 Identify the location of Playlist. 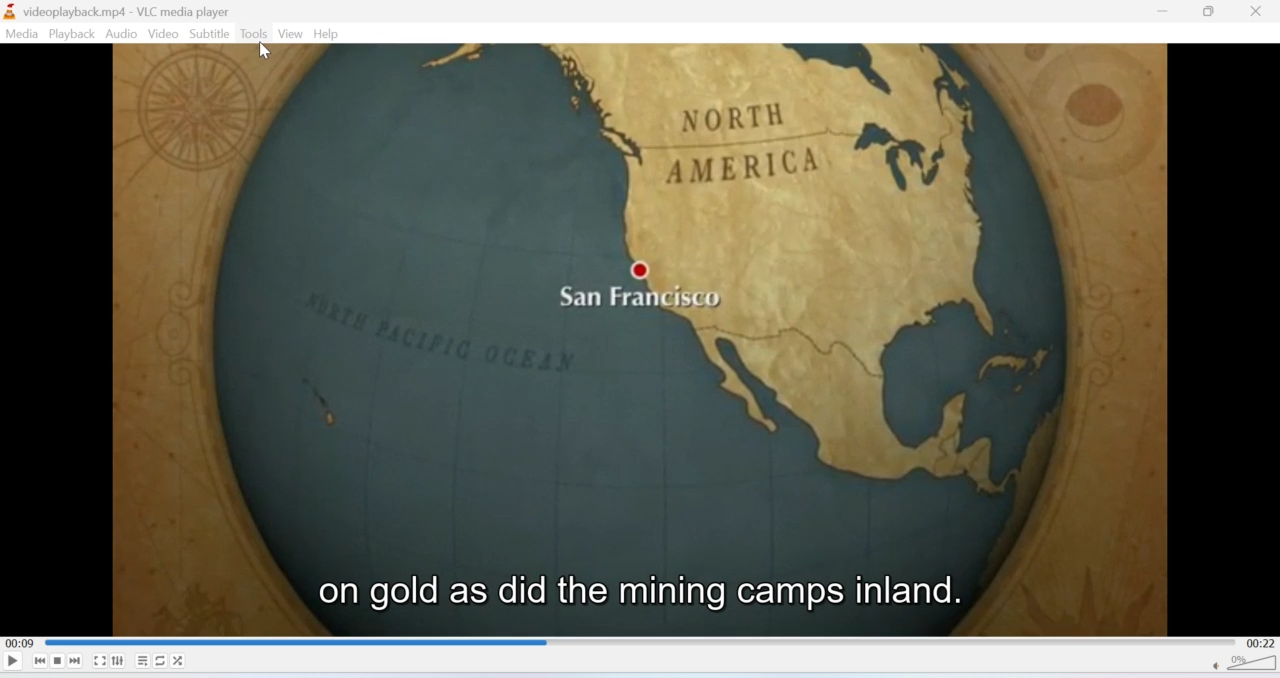
(143, 661).